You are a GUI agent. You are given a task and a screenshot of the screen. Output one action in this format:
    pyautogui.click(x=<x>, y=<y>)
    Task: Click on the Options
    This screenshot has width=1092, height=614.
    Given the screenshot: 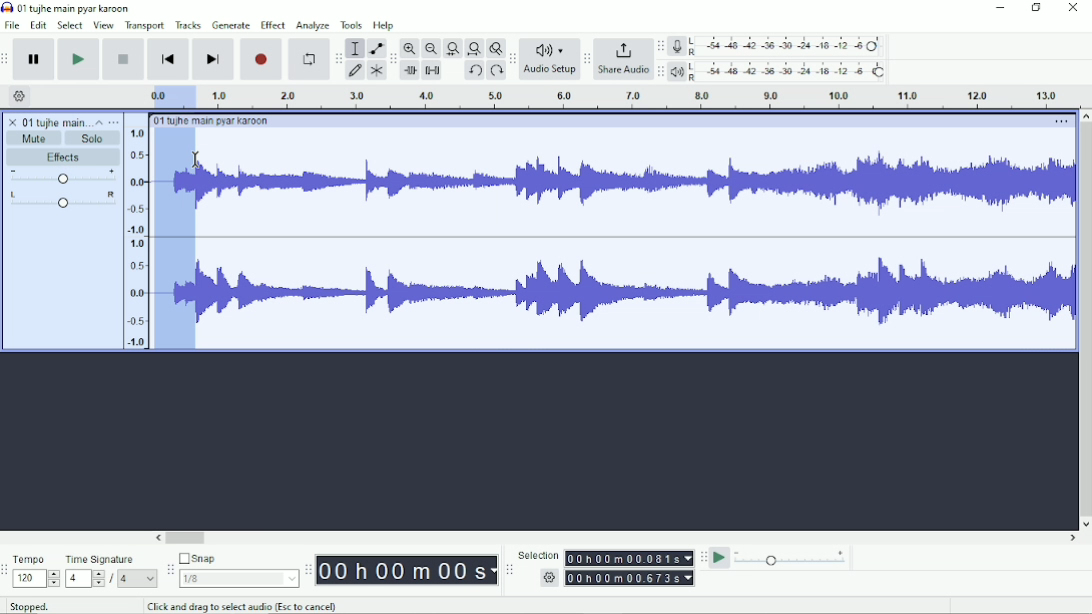 What is the action you would take?
    pyautogui.click(x=1059, y=123)
    